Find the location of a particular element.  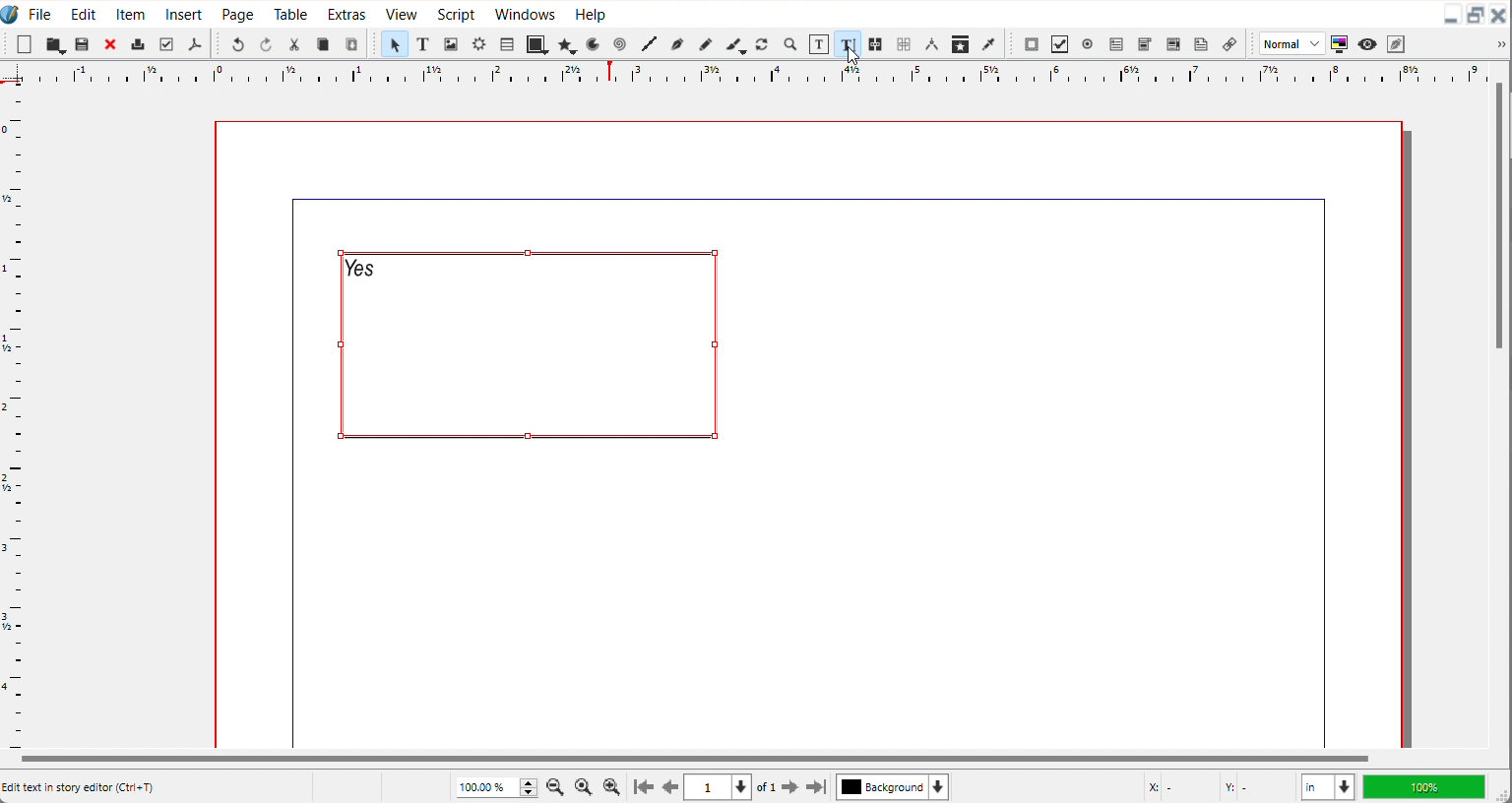

Adjust Zoom is located at coordinates (498, 787).